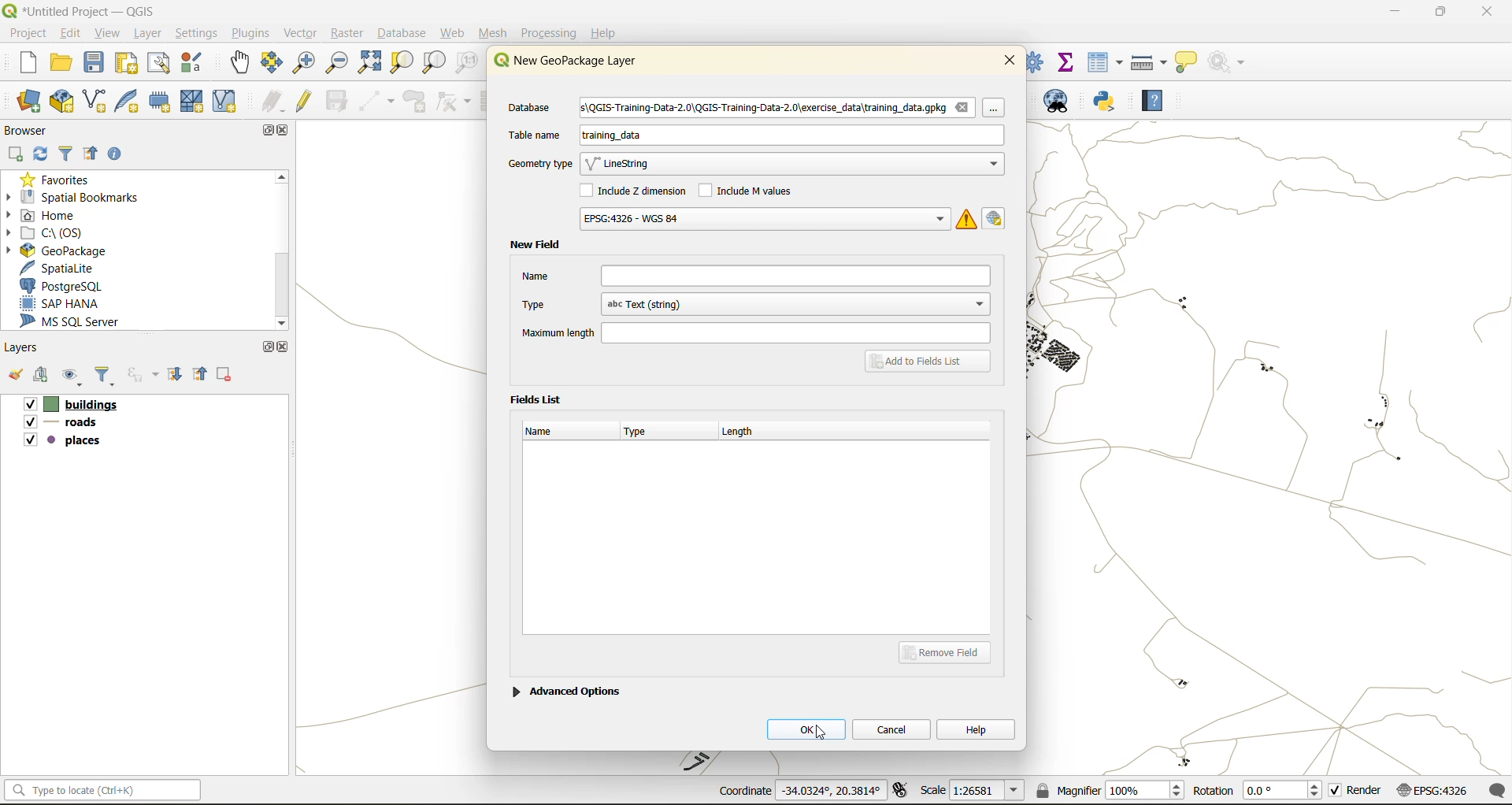 The image size is (1512, 805). Describe the element at coordinates (109, 32) in the screenshot. I see `view` at that location.